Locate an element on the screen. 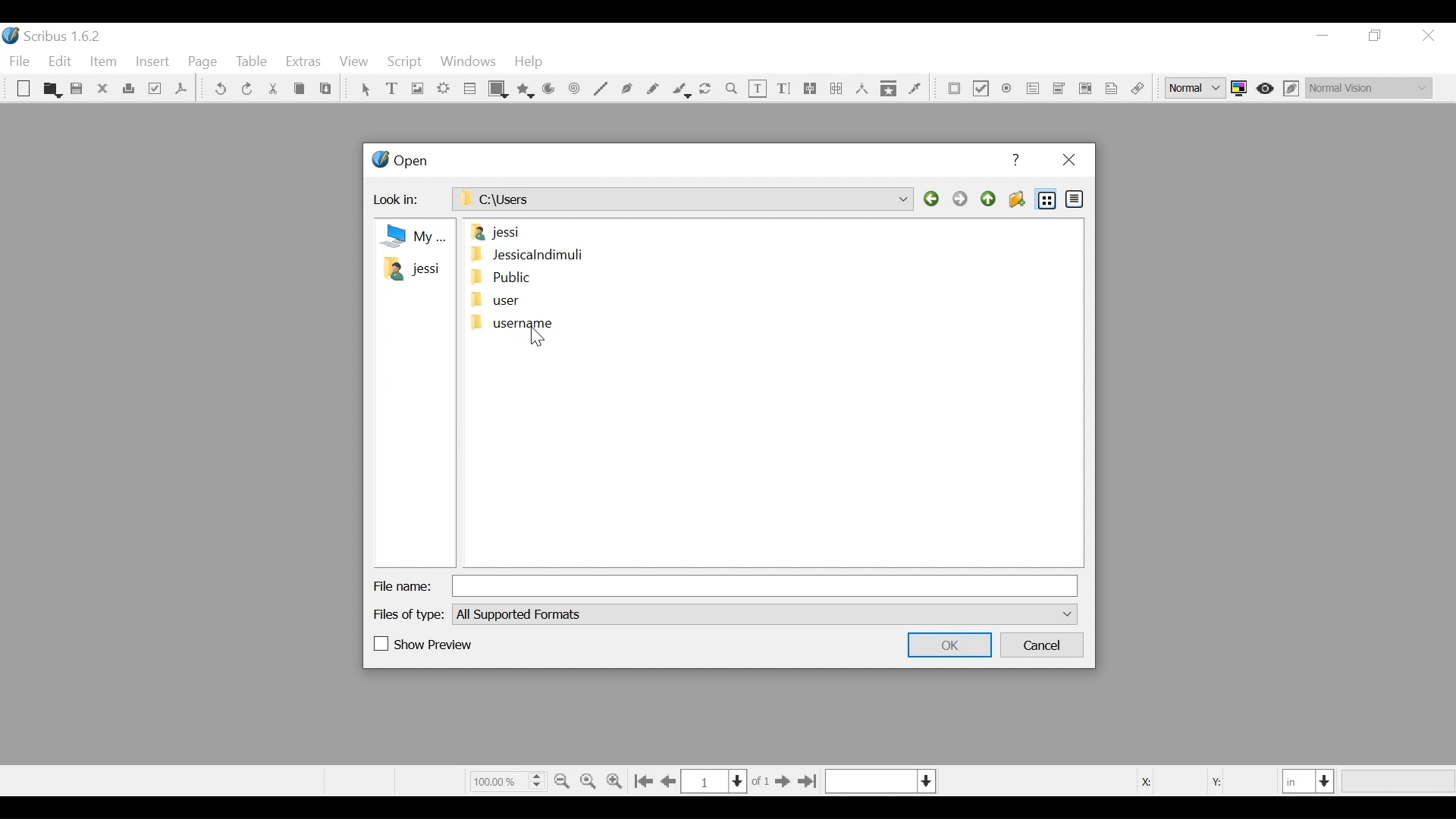 The height and width of the screenshot is (819, 1456). Go to first Page is located at coordinates (645, 781).